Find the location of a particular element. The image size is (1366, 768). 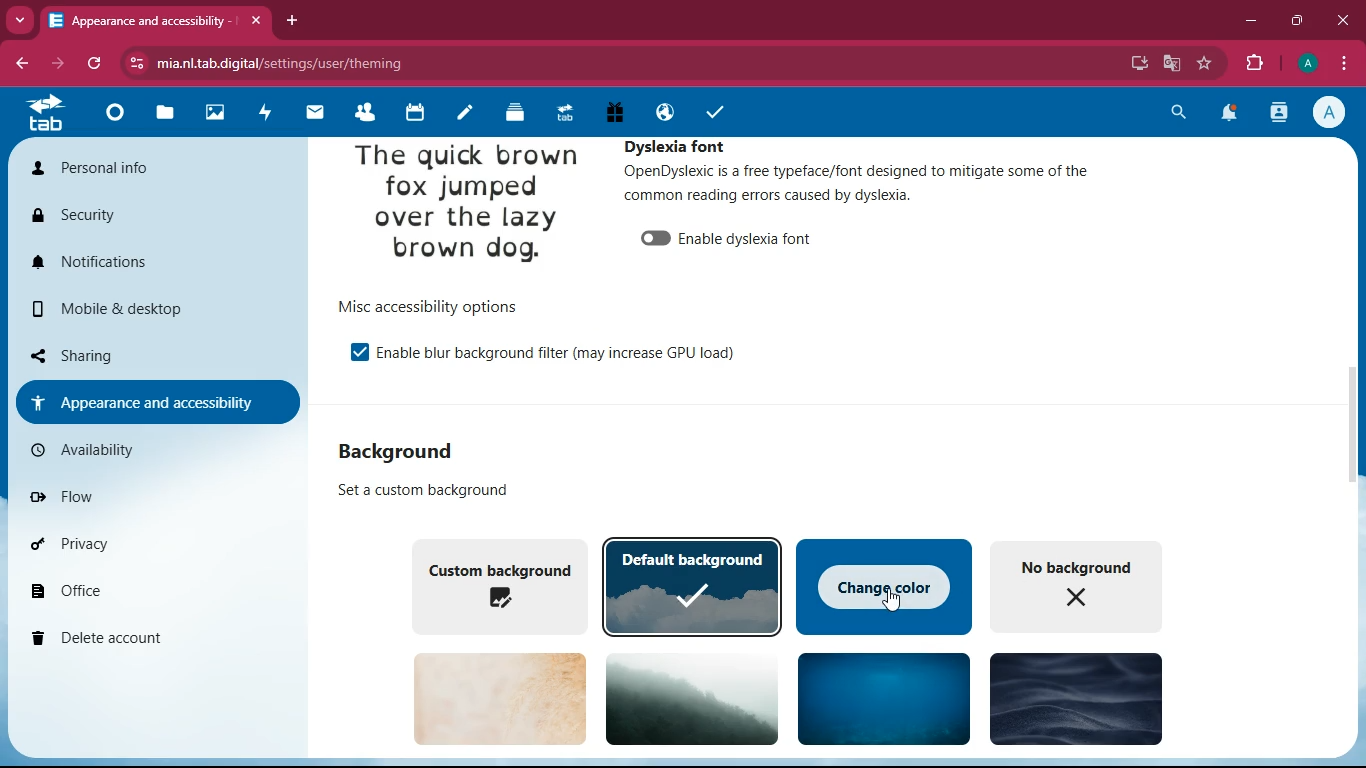

availability is located at coordinates (106, 450).